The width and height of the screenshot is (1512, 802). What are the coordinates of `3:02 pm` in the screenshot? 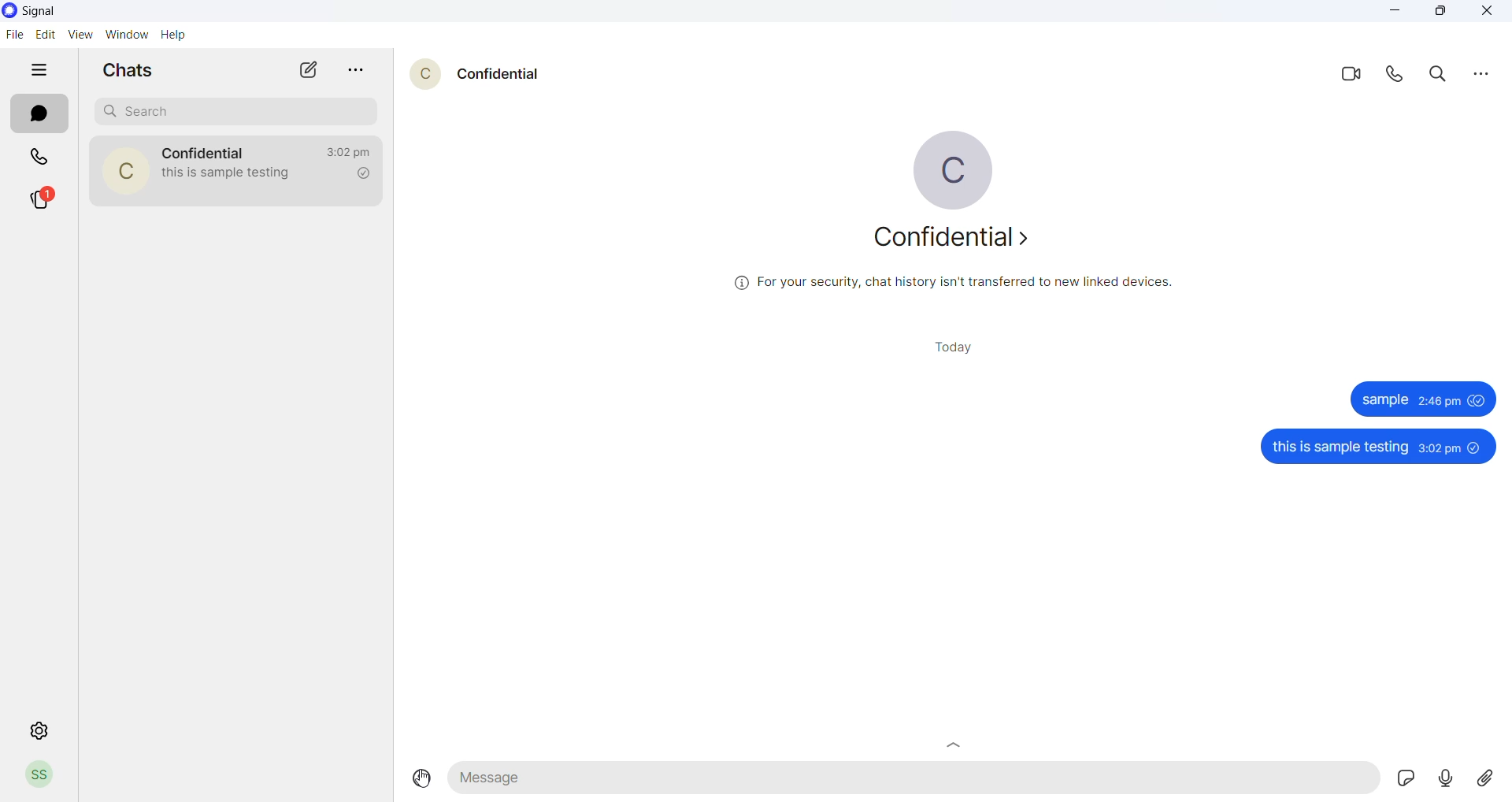 It's located at (1439, 447).